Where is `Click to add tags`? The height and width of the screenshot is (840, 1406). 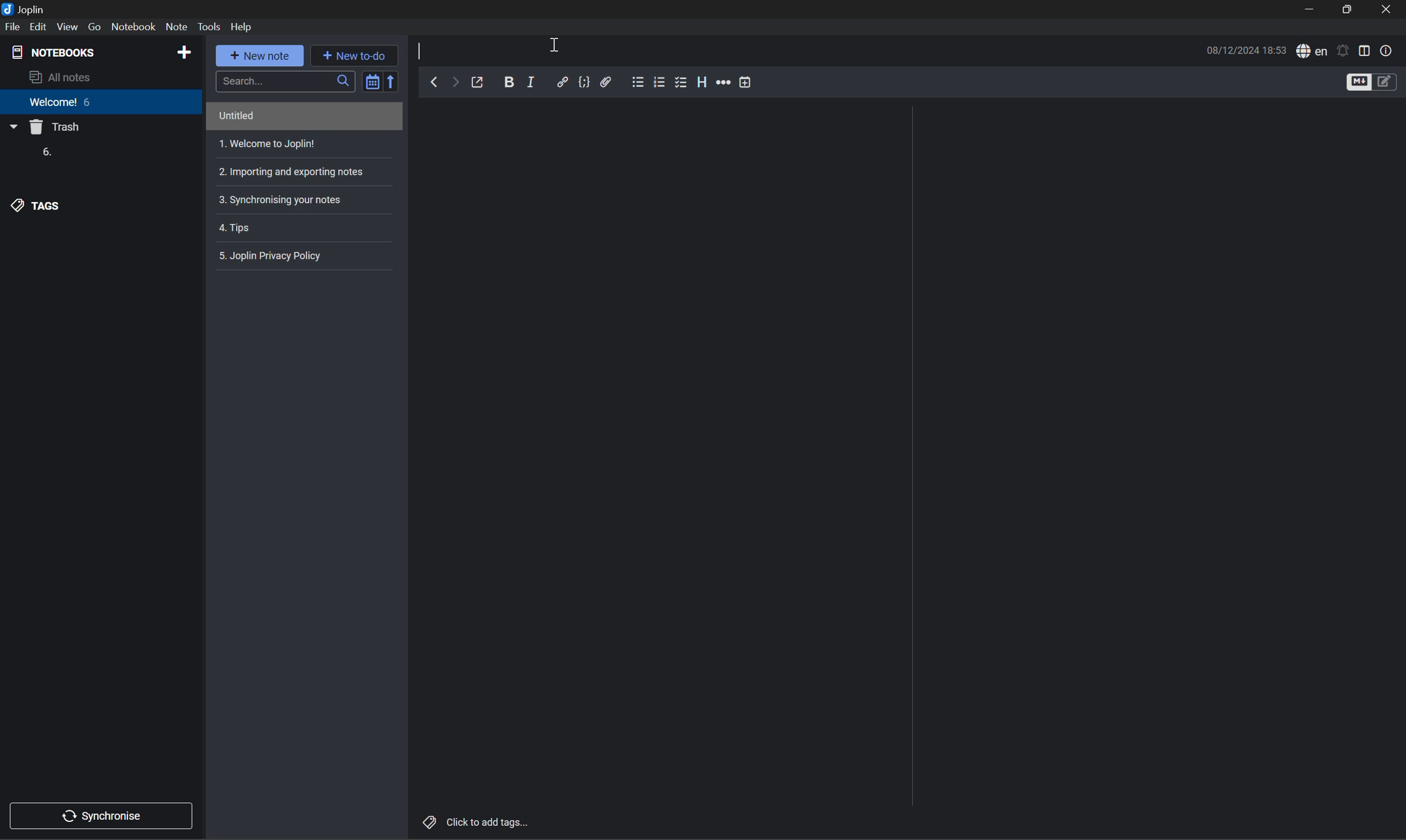 Click to add tags is located at coordinates (477, 821).